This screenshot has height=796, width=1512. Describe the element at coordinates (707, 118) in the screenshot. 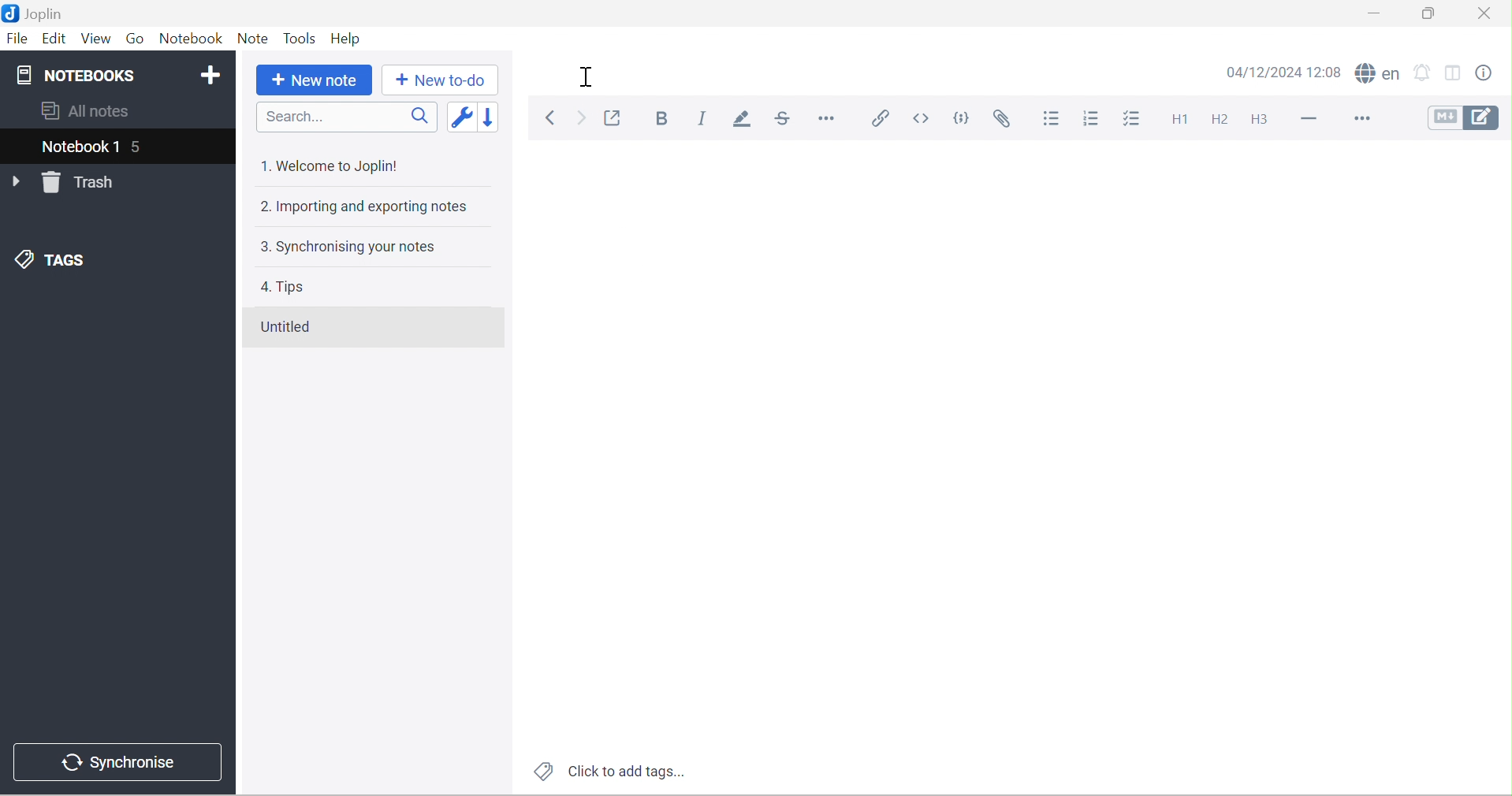

I see `Italic` at that location.